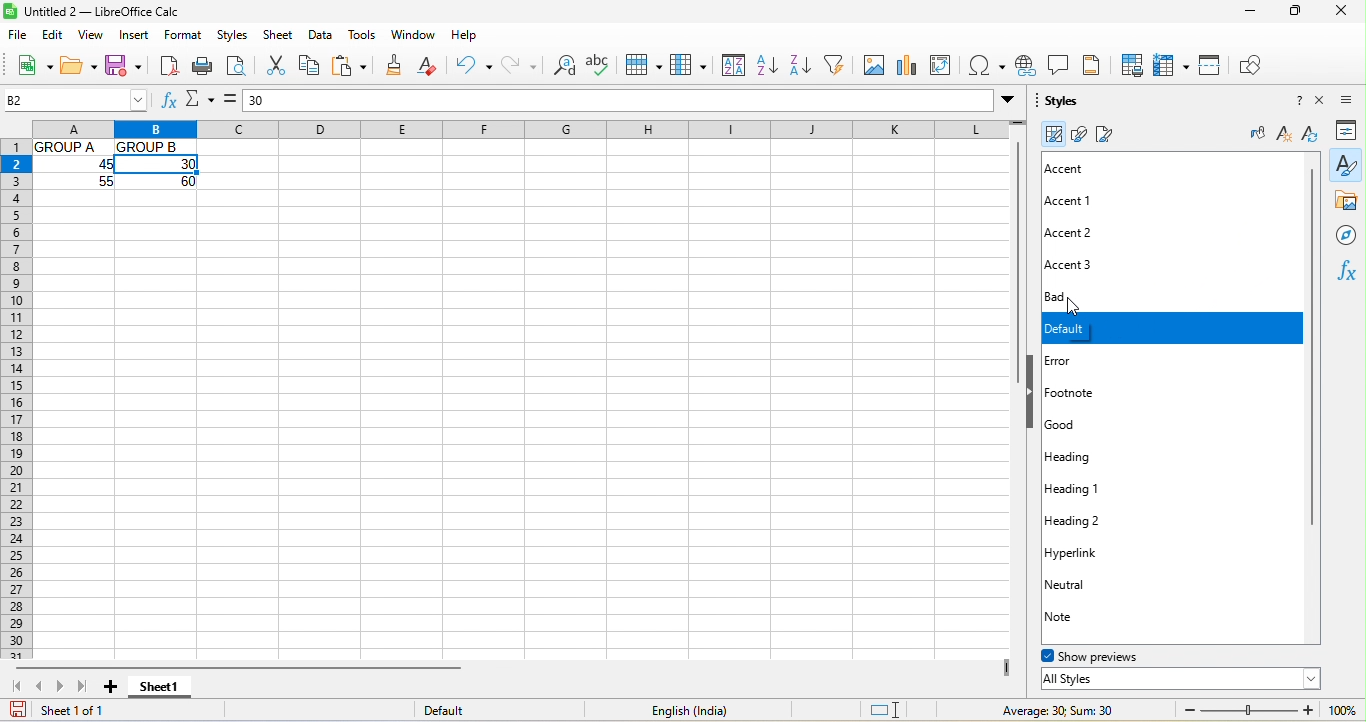 The height and width of the screenshot is (722, 1366). Describe the element at coordinates (1098, 64) in the screenshot. I see `header and footers` at that location.